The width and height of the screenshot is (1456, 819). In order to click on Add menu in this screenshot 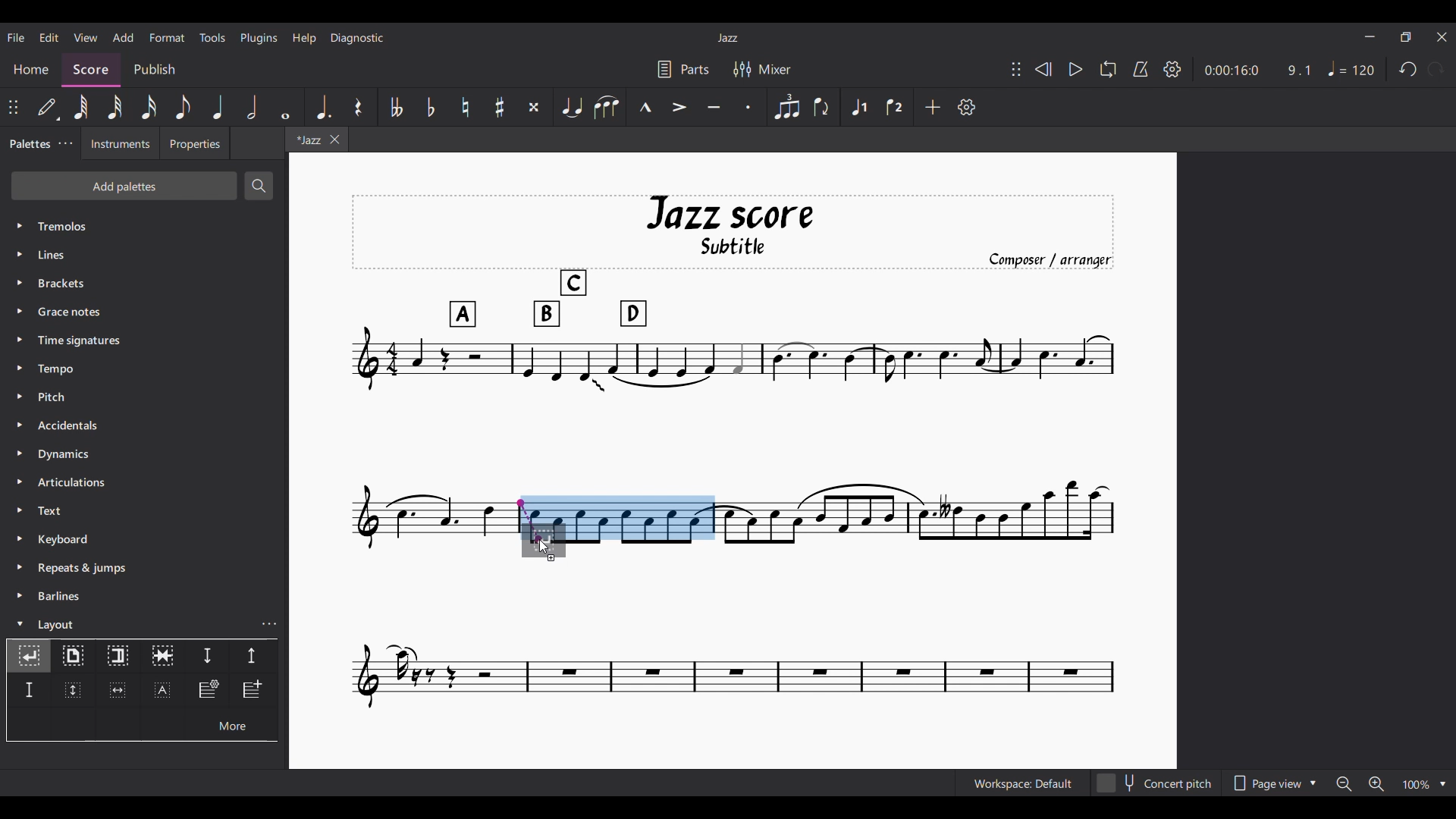, I will do `click(123, 37)`.